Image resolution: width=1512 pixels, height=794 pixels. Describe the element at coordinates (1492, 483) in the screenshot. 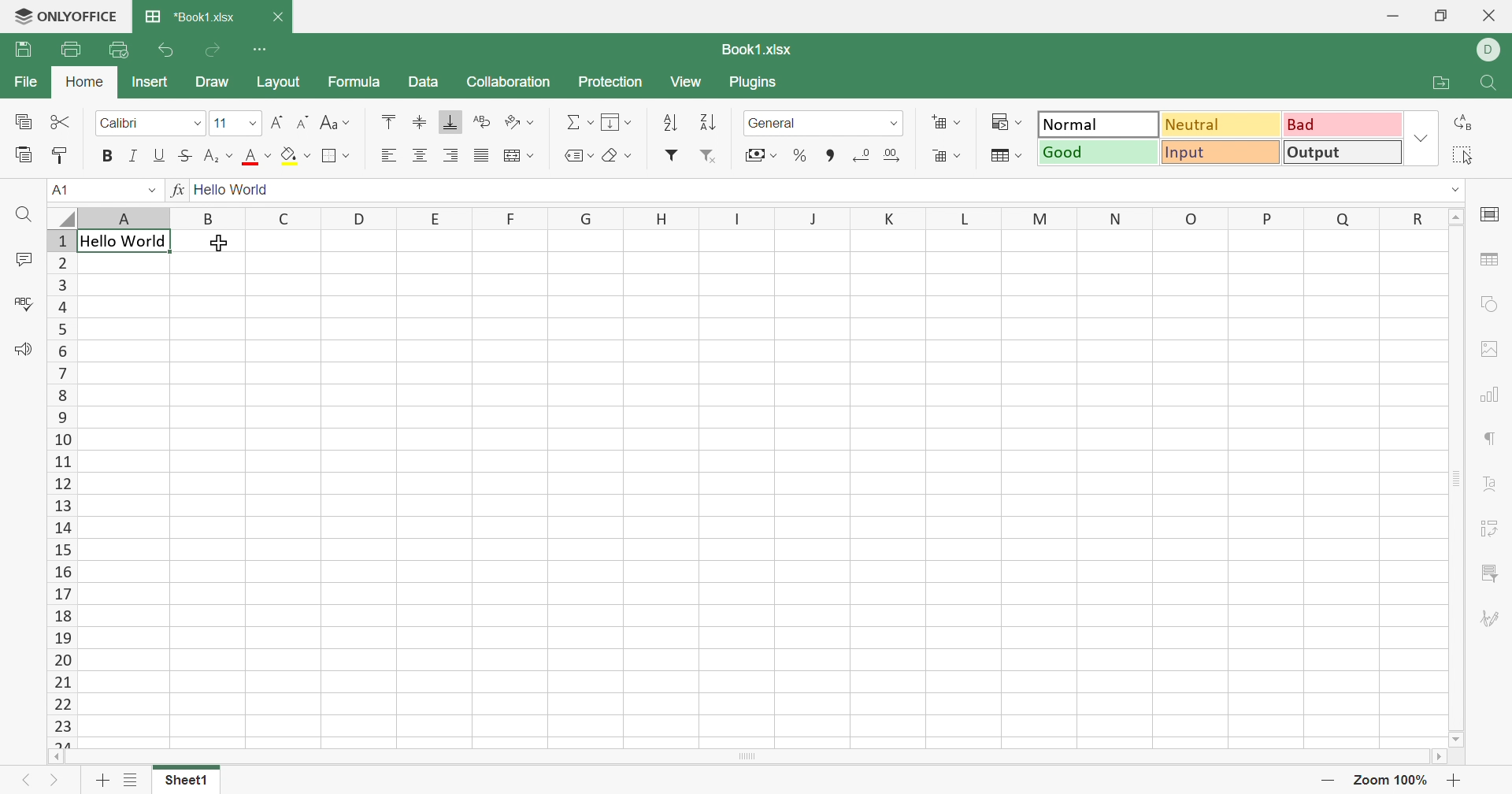

I see `Text art settings` at that location.